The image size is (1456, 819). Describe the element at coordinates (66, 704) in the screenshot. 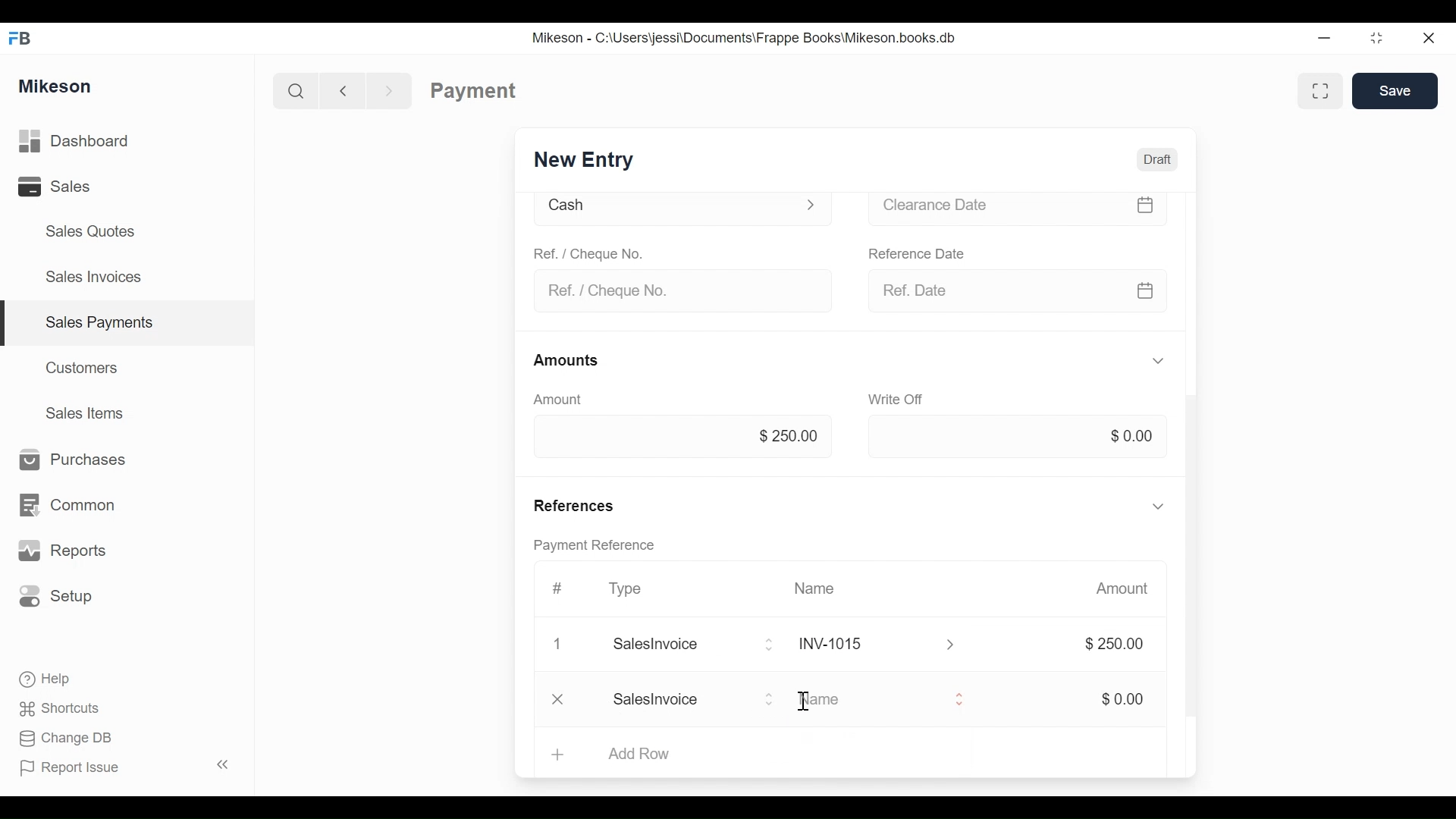

I see `Shortcuts` at that location.